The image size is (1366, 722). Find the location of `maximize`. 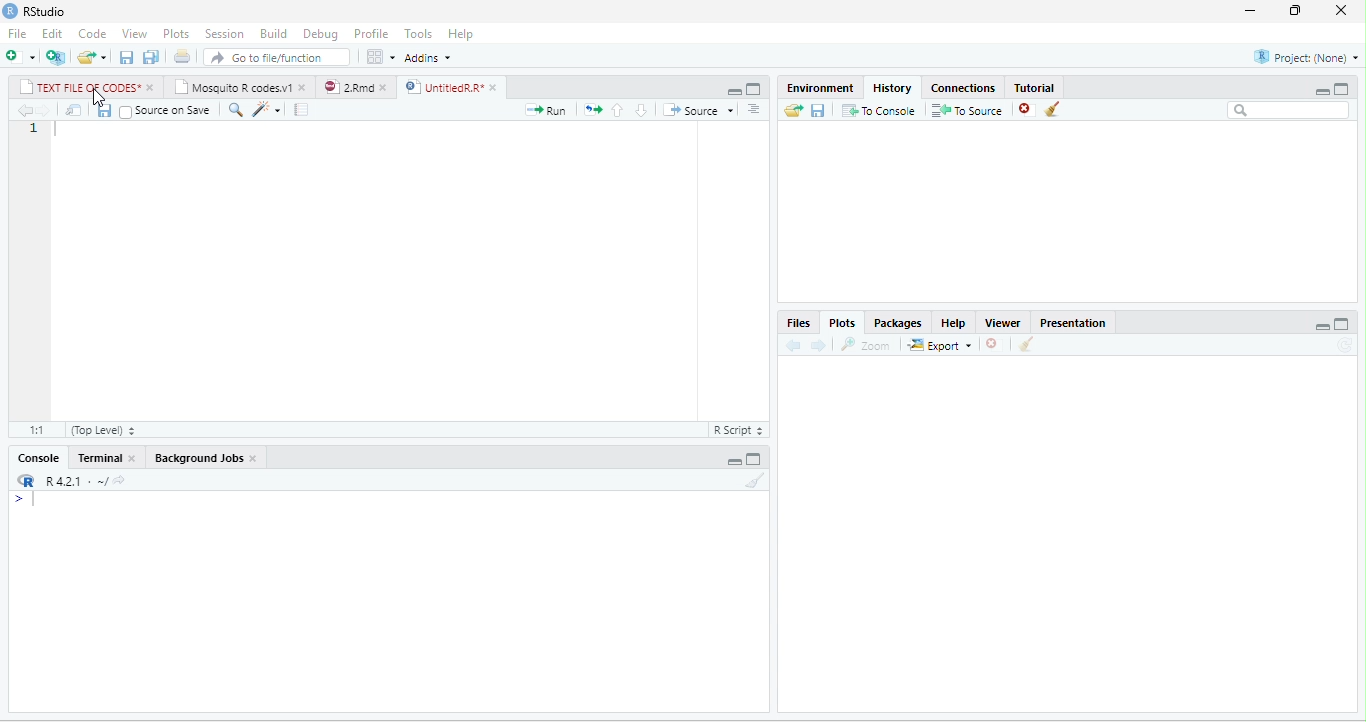

maximize is located at coordinates (1342, 89).